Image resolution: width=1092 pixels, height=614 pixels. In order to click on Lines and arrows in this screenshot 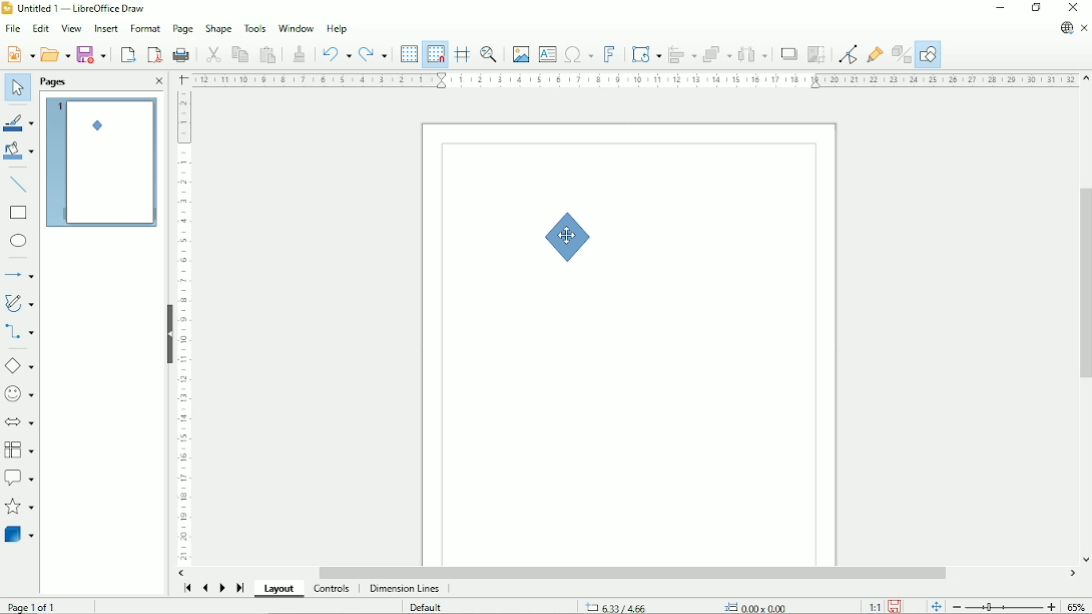, I will do `click(21, 274)`.